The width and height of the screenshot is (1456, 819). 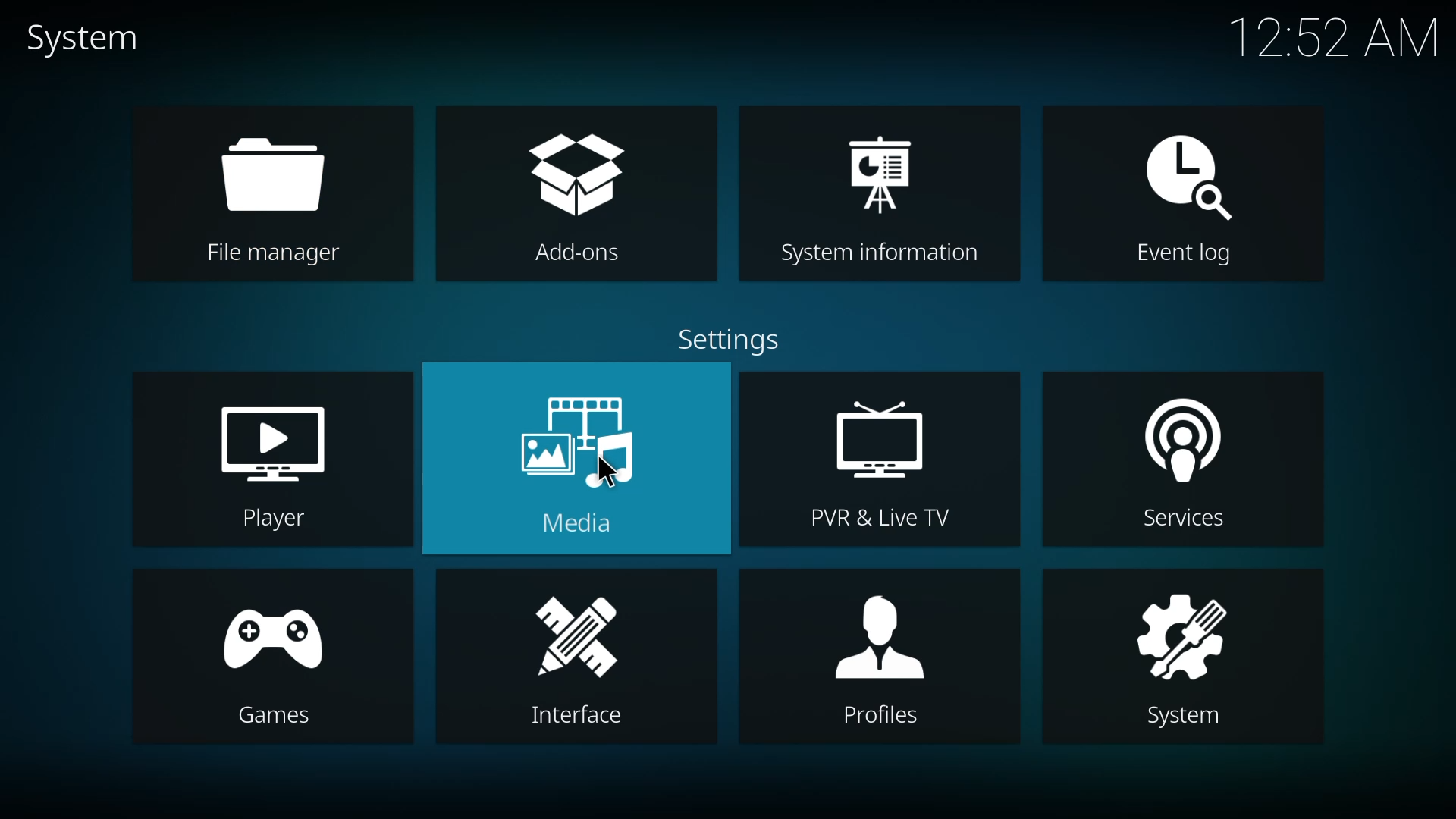 I want to click on interface, so click(x=584, y=629).